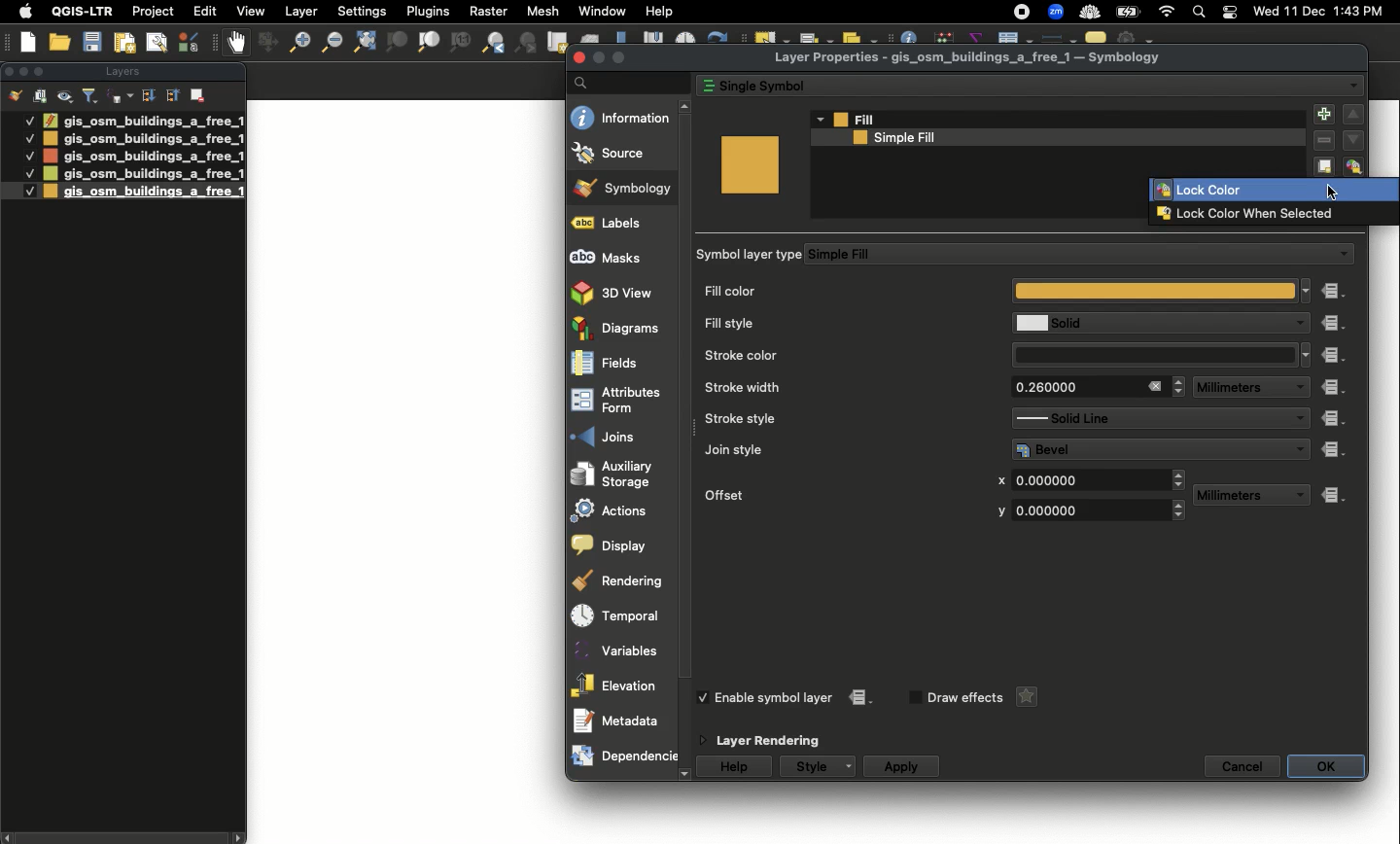  Describe the element at coordinates (619, 56) in the screenshot. I see `maximize` at that location.